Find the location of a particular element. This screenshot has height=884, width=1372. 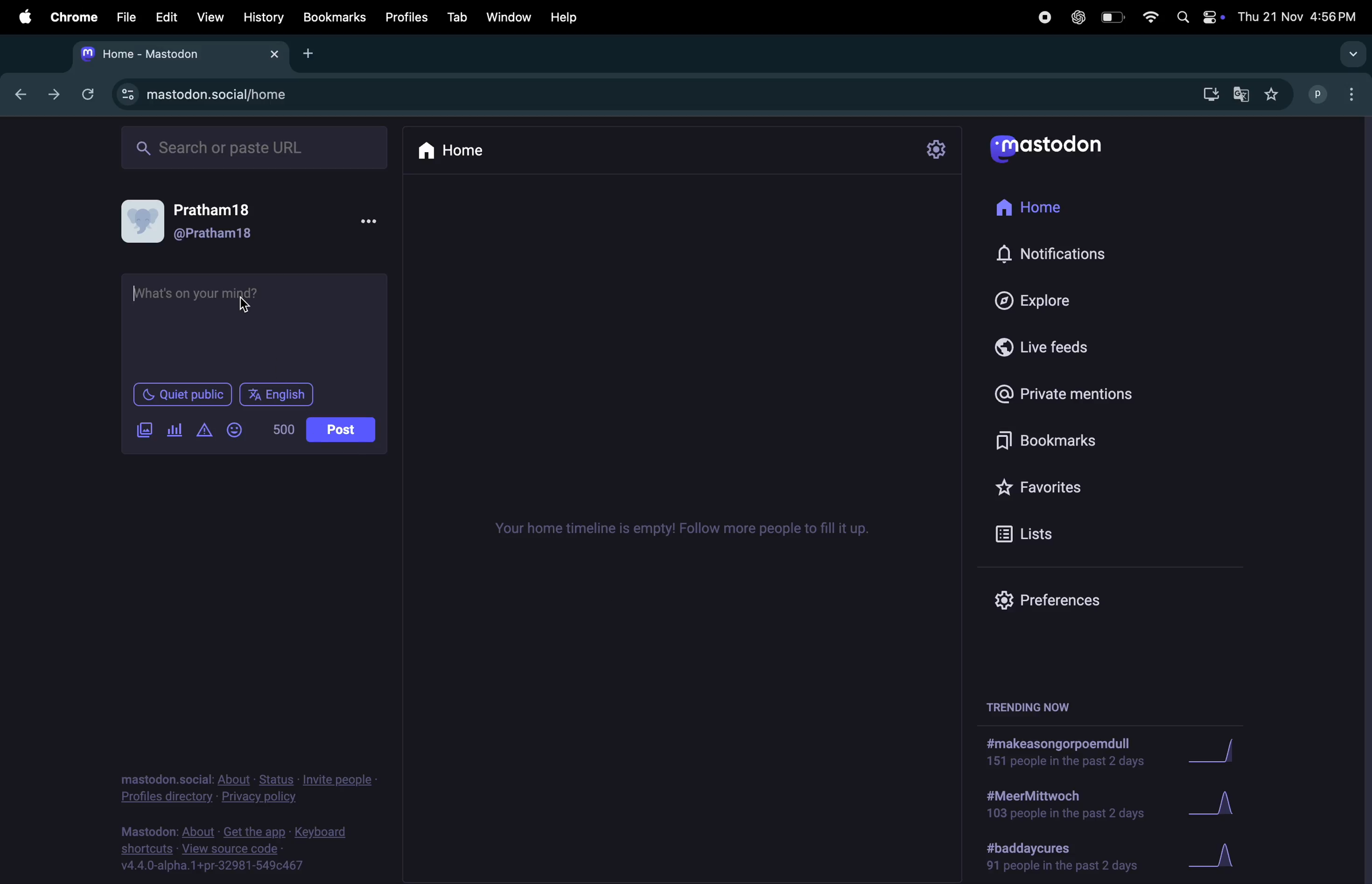

apple menu is located at coordinates (18, 15).